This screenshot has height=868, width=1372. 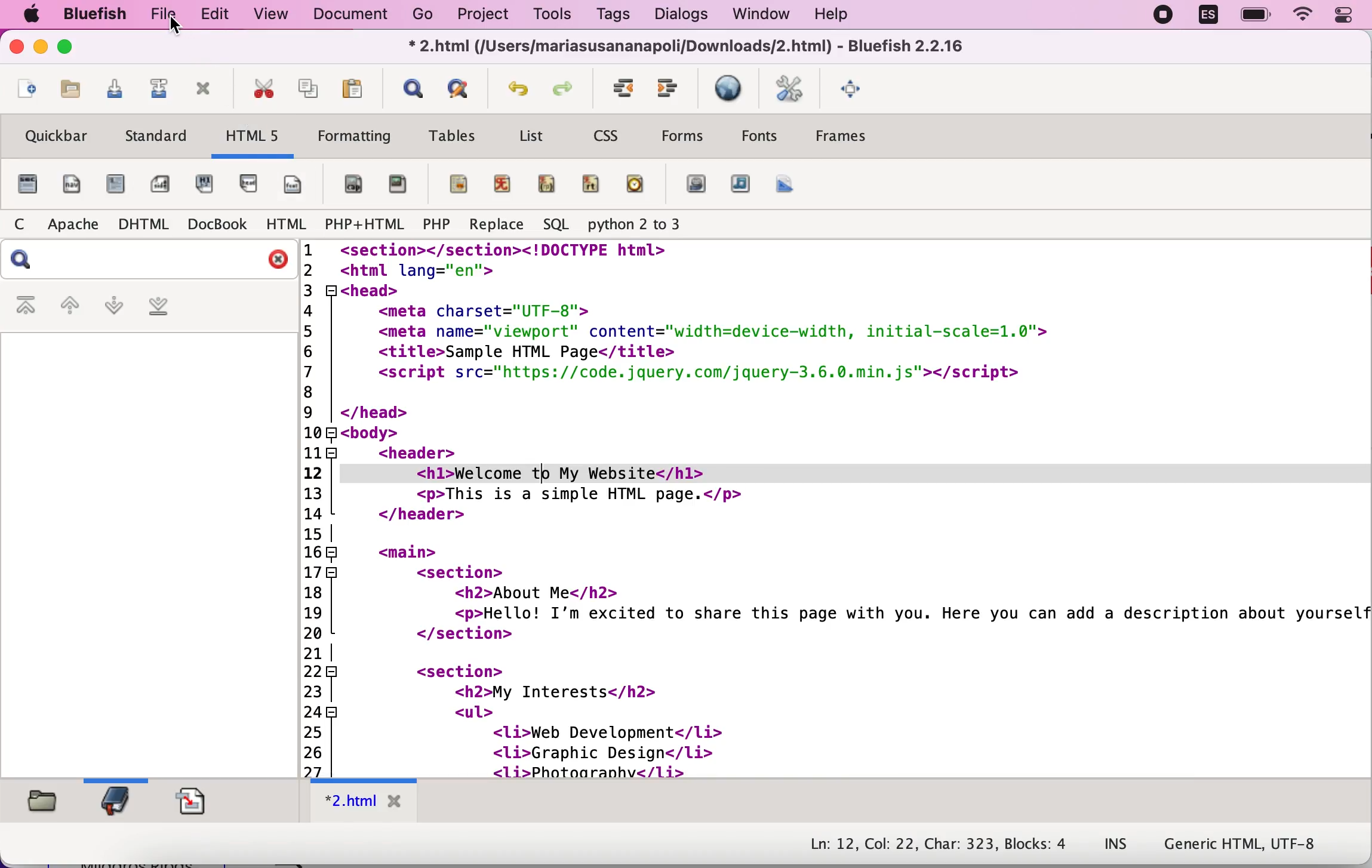 What do you see at coordinates (549, 14) in the screenshot?
I see `tools` at bounding box center [549, 14].